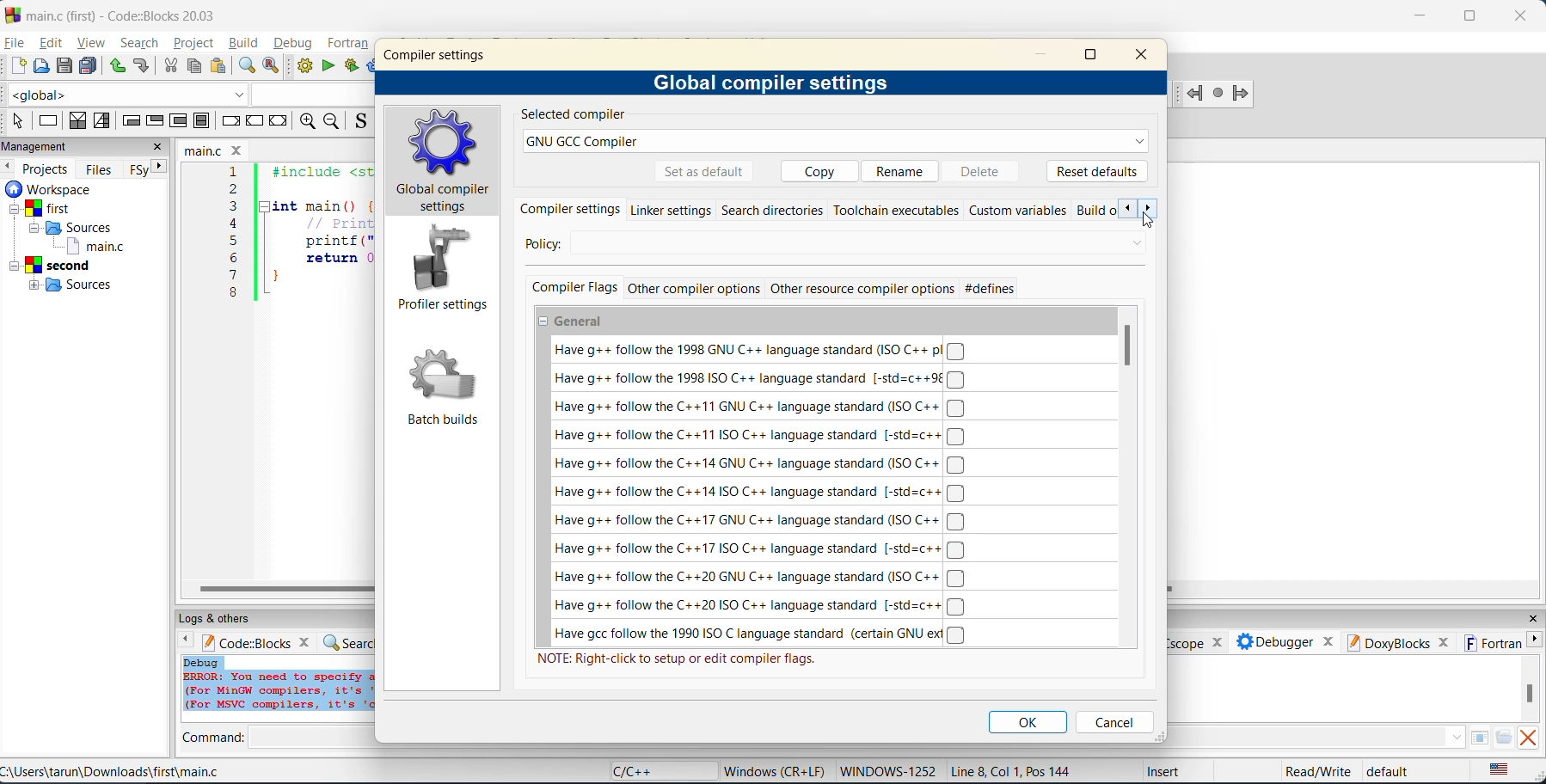  What do you see at coordinates (41, 146) in the screenshot?
I see `management` at bounding box center [41, 146].